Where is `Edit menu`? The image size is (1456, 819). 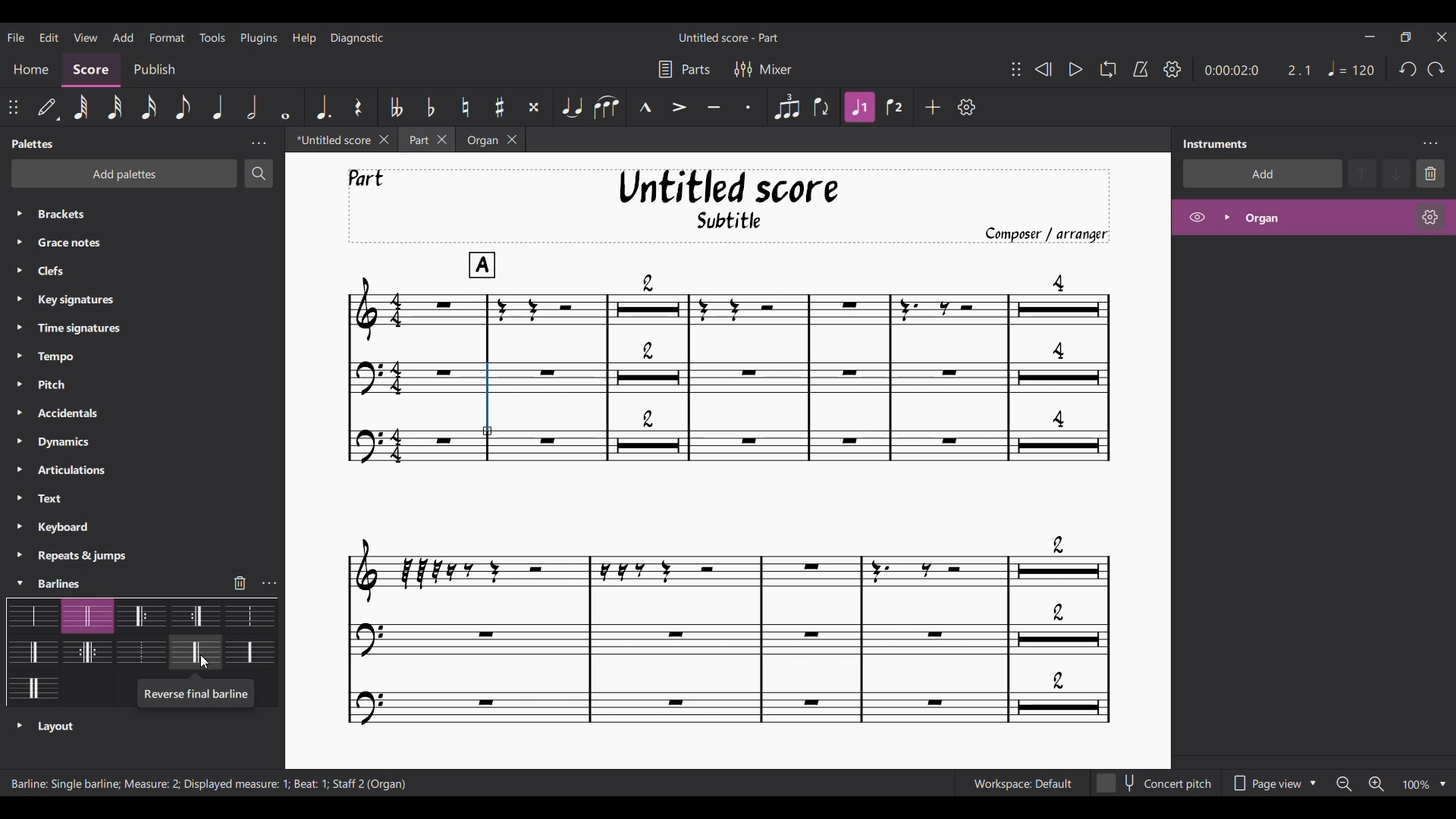
Edit menu is located at coordinates (49, 36).